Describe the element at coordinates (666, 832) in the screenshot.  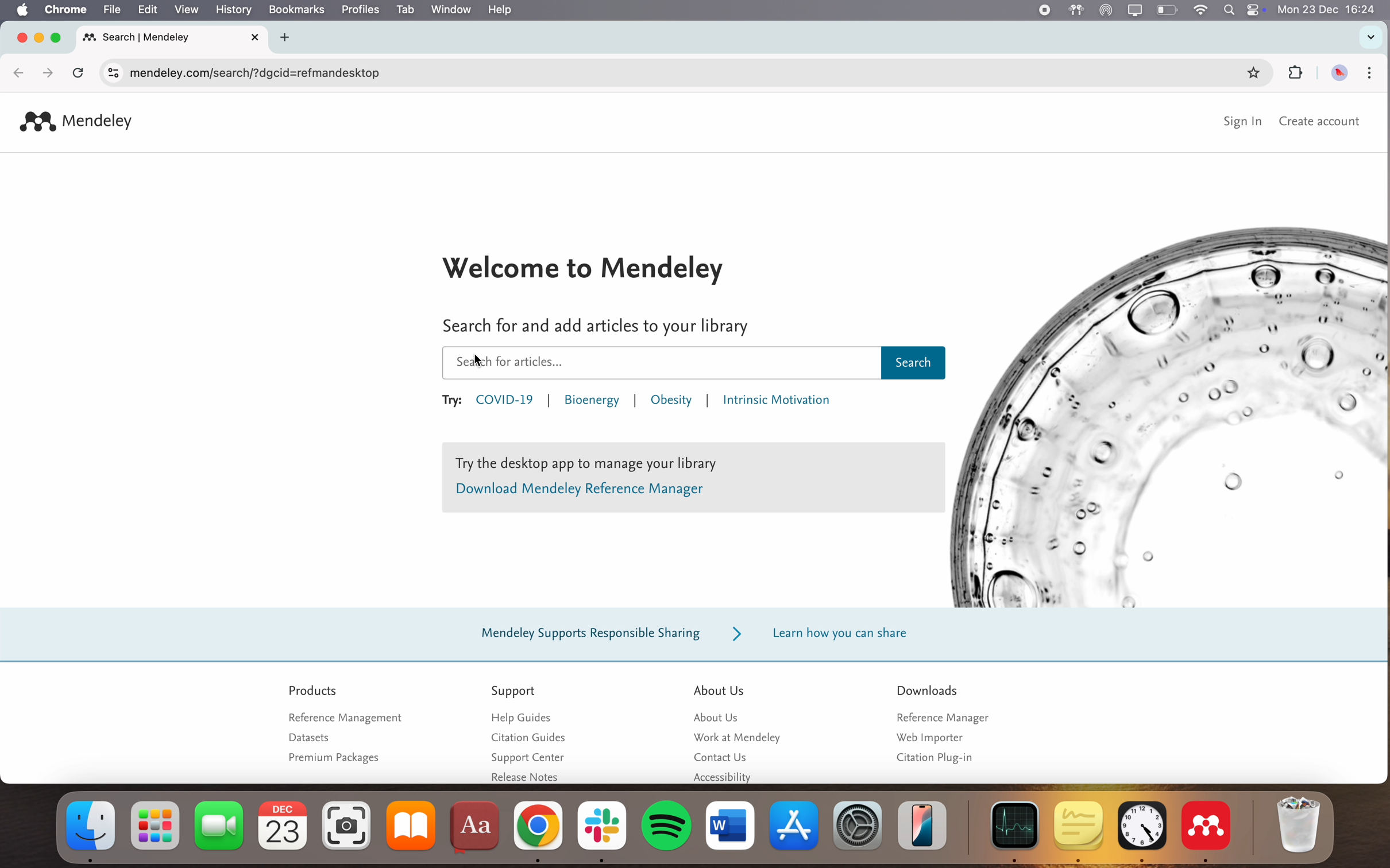
I see `Spotify` at that location.